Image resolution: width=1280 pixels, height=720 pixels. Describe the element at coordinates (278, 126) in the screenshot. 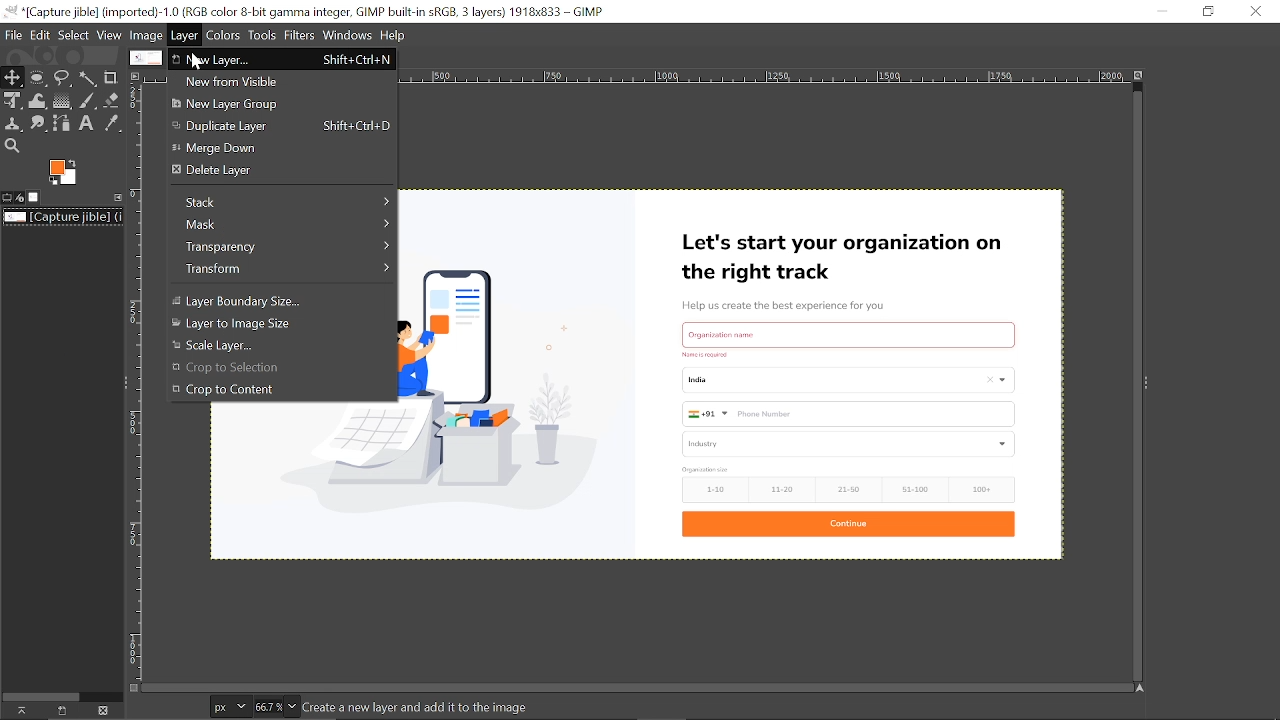

I see `Duplicate layer` at that location.